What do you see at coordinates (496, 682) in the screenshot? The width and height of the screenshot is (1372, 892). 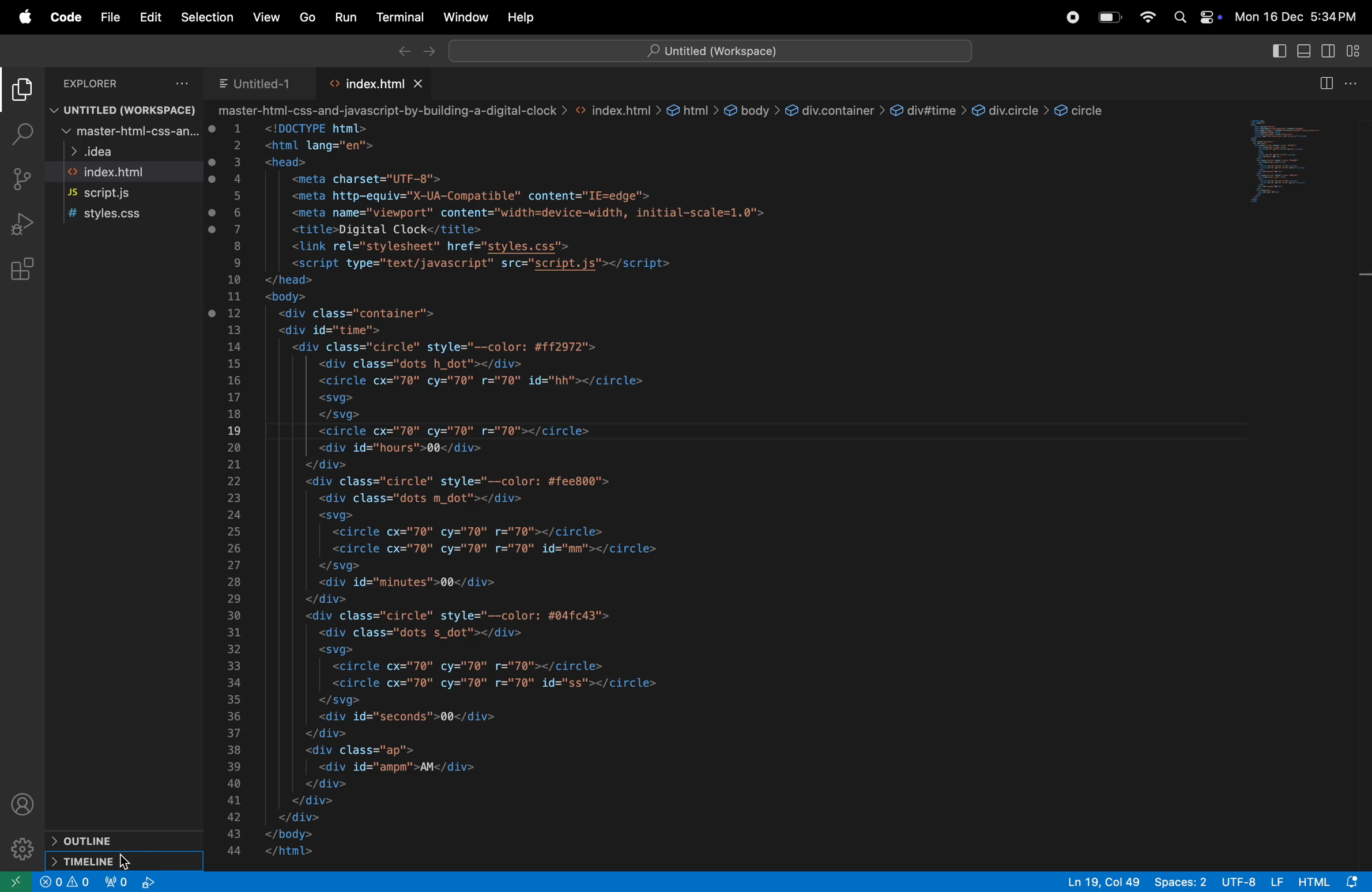 I see `<circle cx="70" cy="70" r="70" id="ss"></circle>` at bounding box center [496, 682].